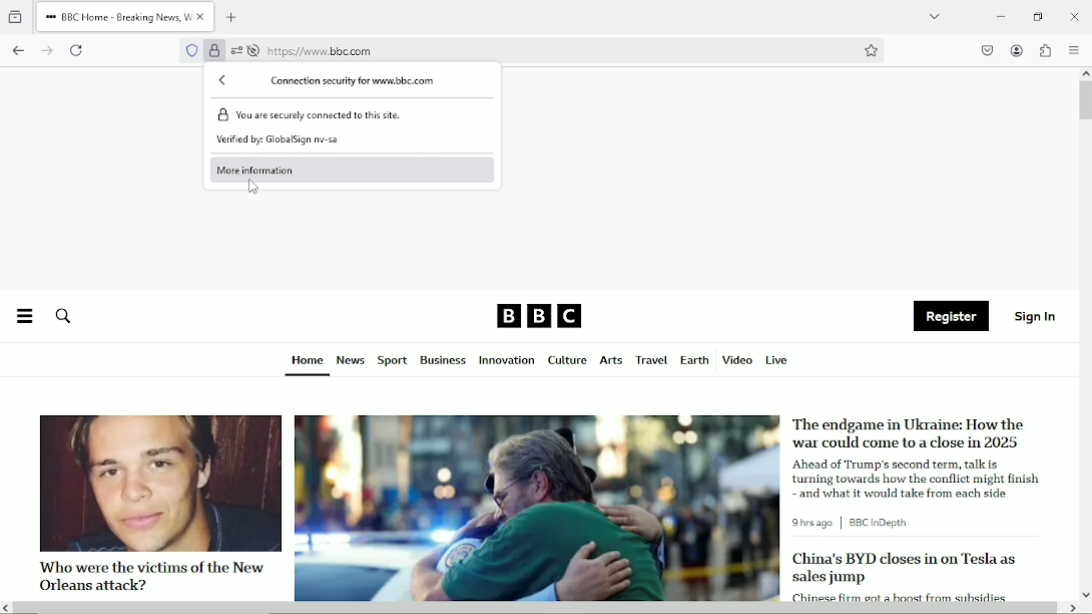 The width and height of the screenshot is (1092, 614). Describe the element at coordinates (854, 523) in the screenshot. I see `9 hrs ago | BBC in Depth` at that location.